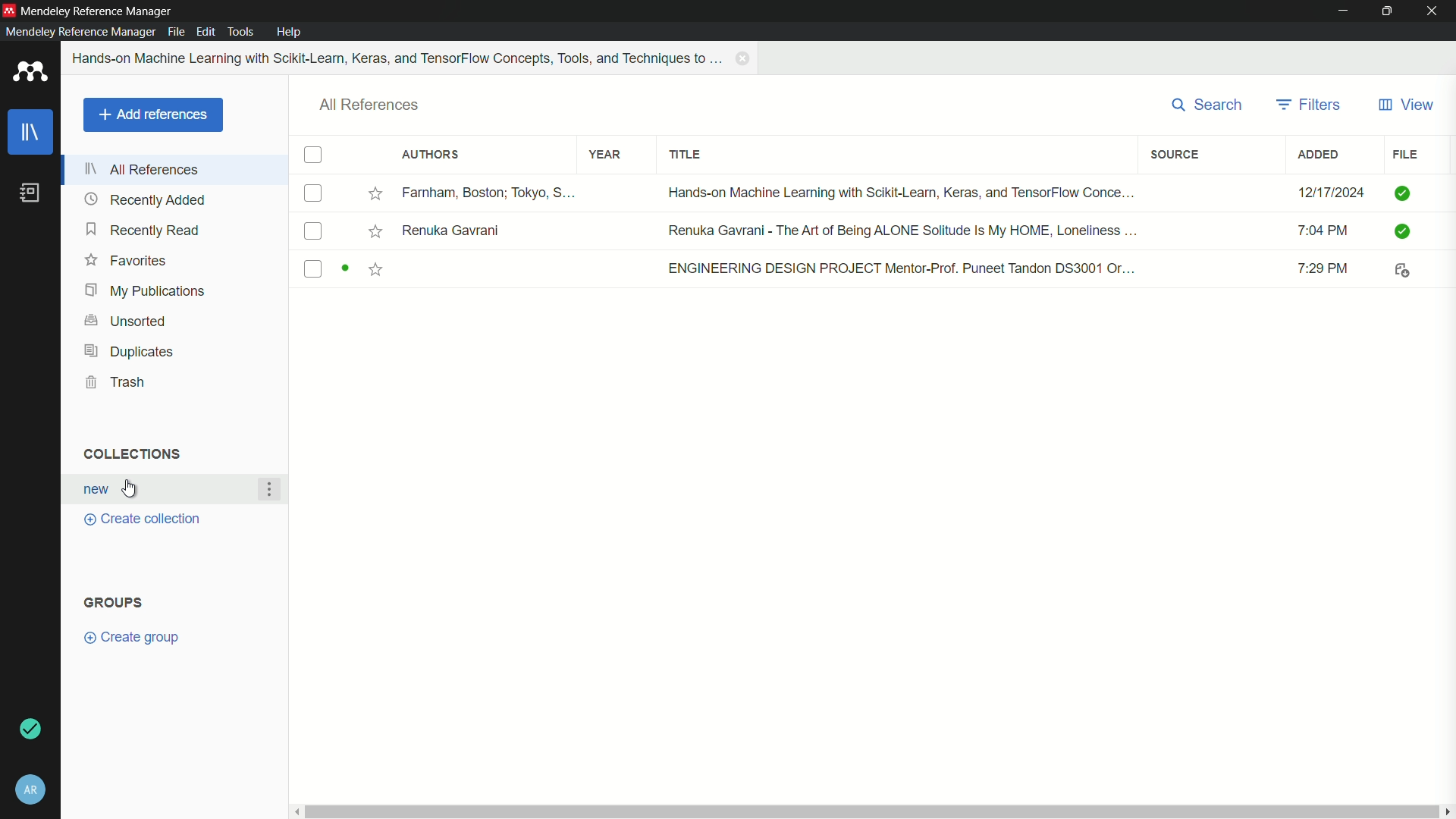 The height and width of the screenshot is (819, 1456). What do you see at coordinates (429, 155) in the screenshot?
I see `authors` at bounding box center [429, 155].